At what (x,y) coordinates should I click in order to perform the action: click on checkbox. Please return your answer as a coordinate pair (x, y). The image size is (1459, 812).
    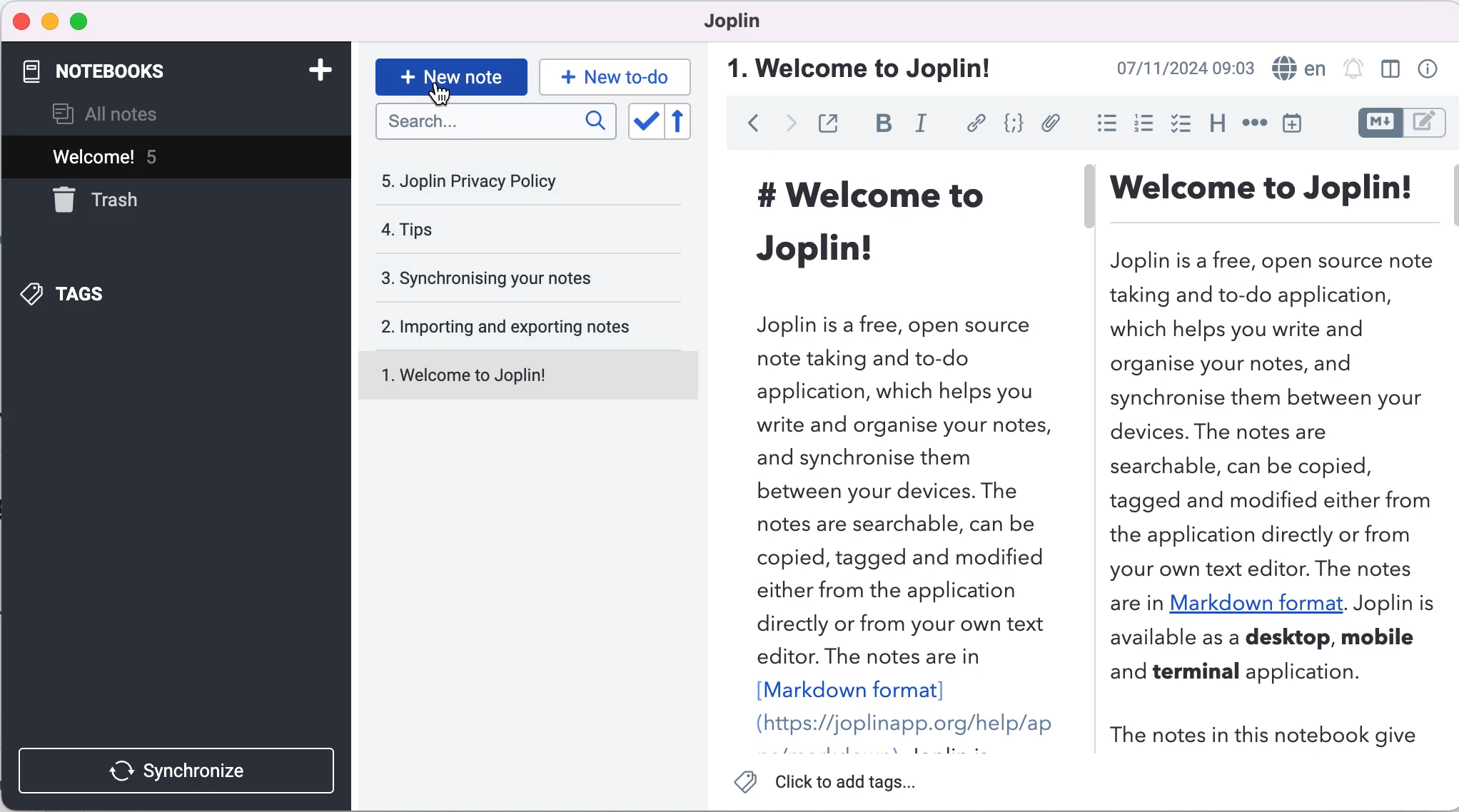
    Looking at the image, I should click on (1183, 126).